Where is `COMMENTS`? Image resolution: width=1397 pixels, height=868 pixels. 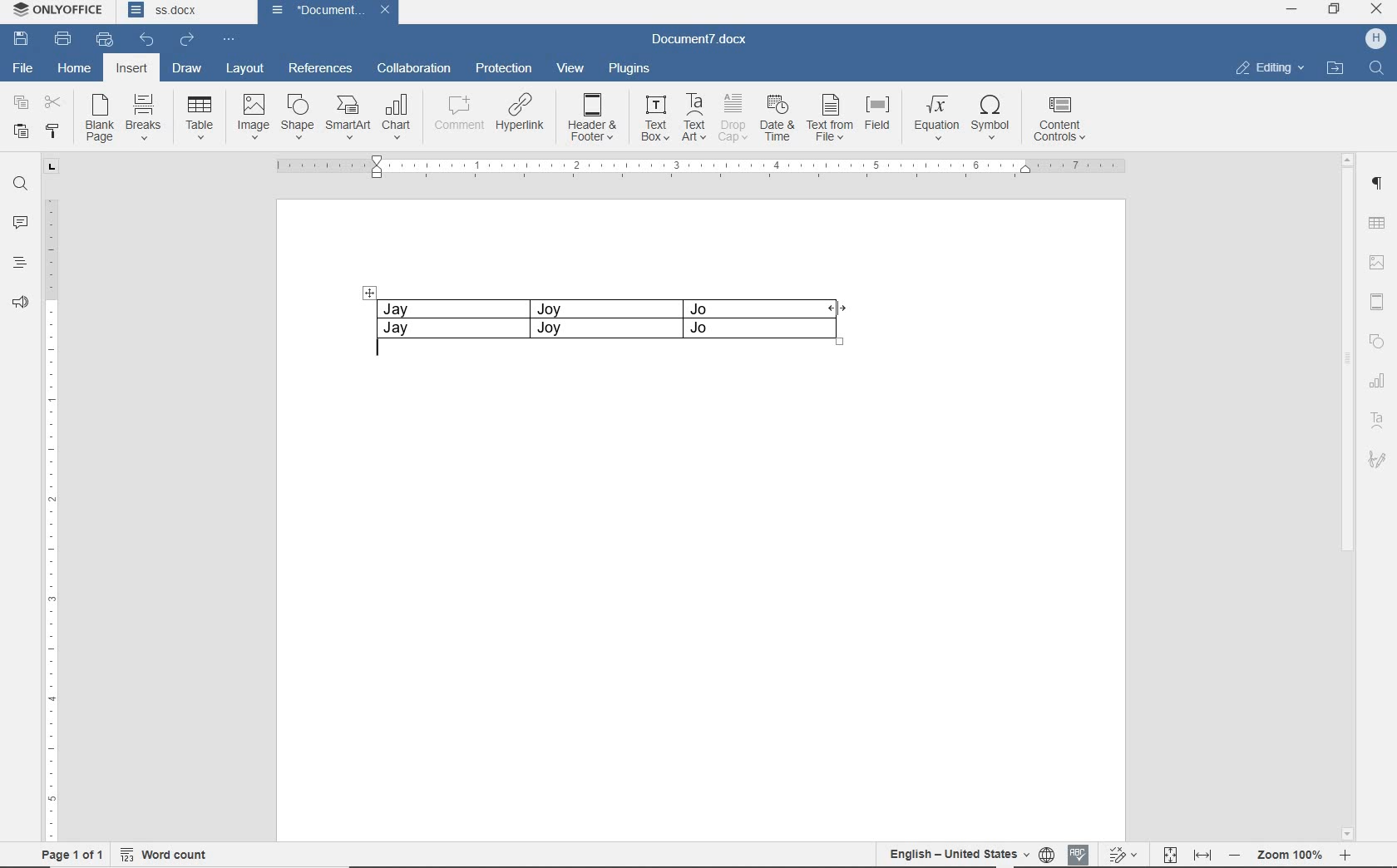
COMMENTS is located at coordinates (20, 222).